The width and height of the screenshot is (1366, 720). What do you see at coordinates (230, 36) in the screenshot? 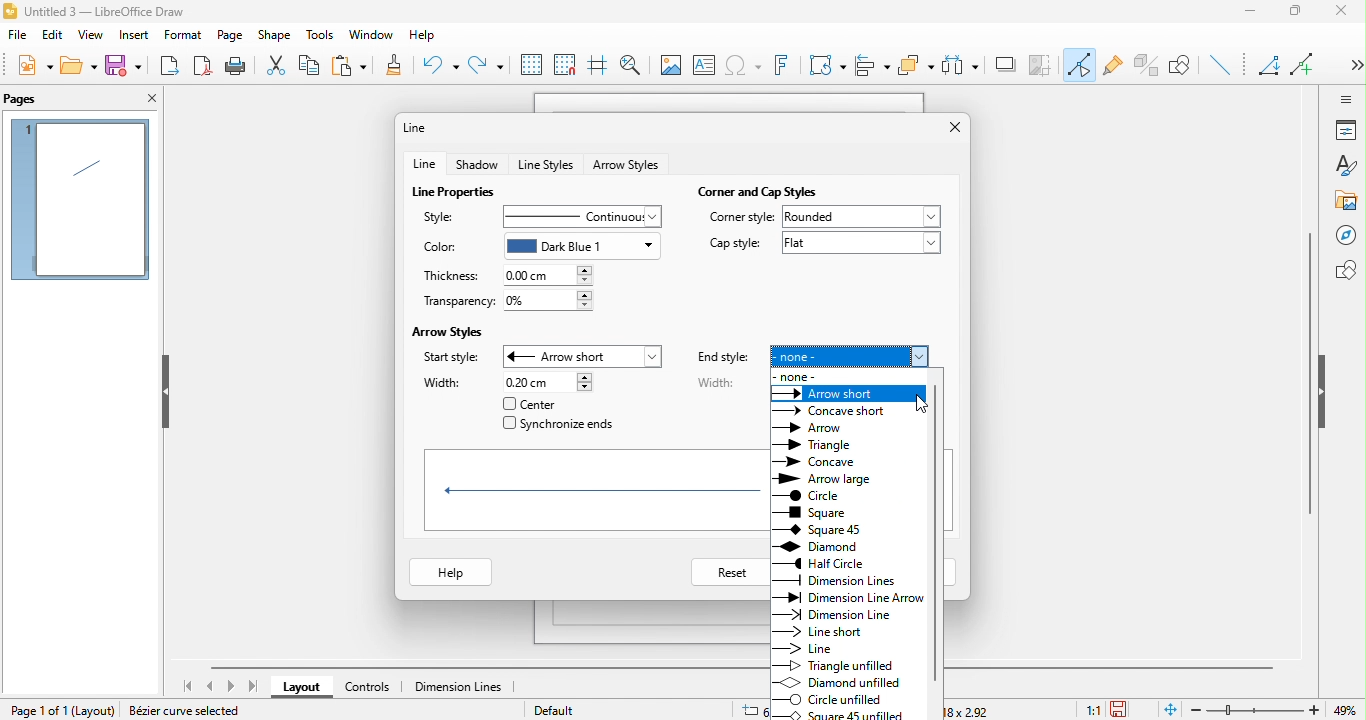
I see `page` at bounding box center [230, 36].